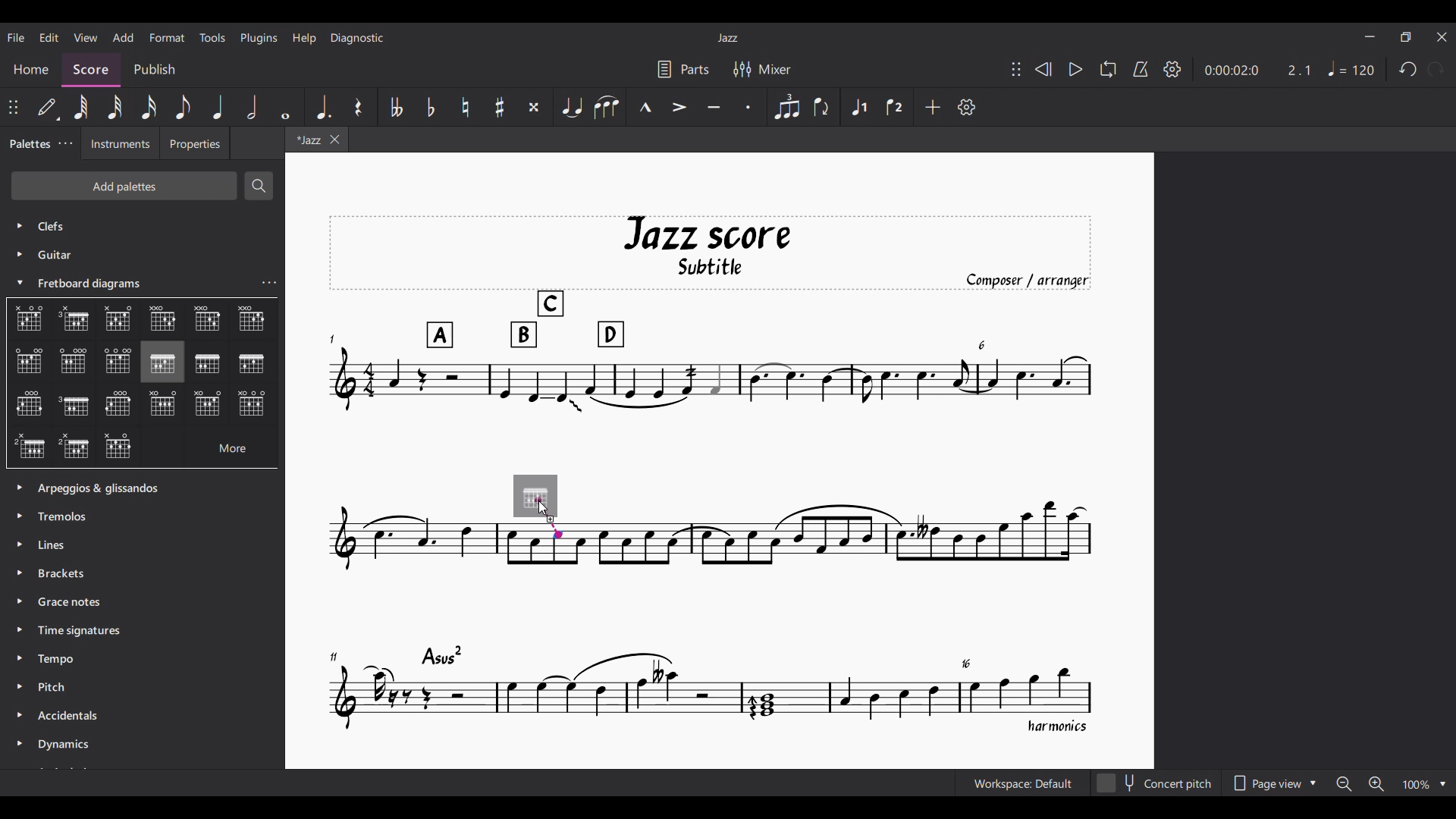 The width and height of the screenshot is (1456, 819). Describe the element at coordinates (161, 318) in the screenshot. I see `Chart4` at that location.